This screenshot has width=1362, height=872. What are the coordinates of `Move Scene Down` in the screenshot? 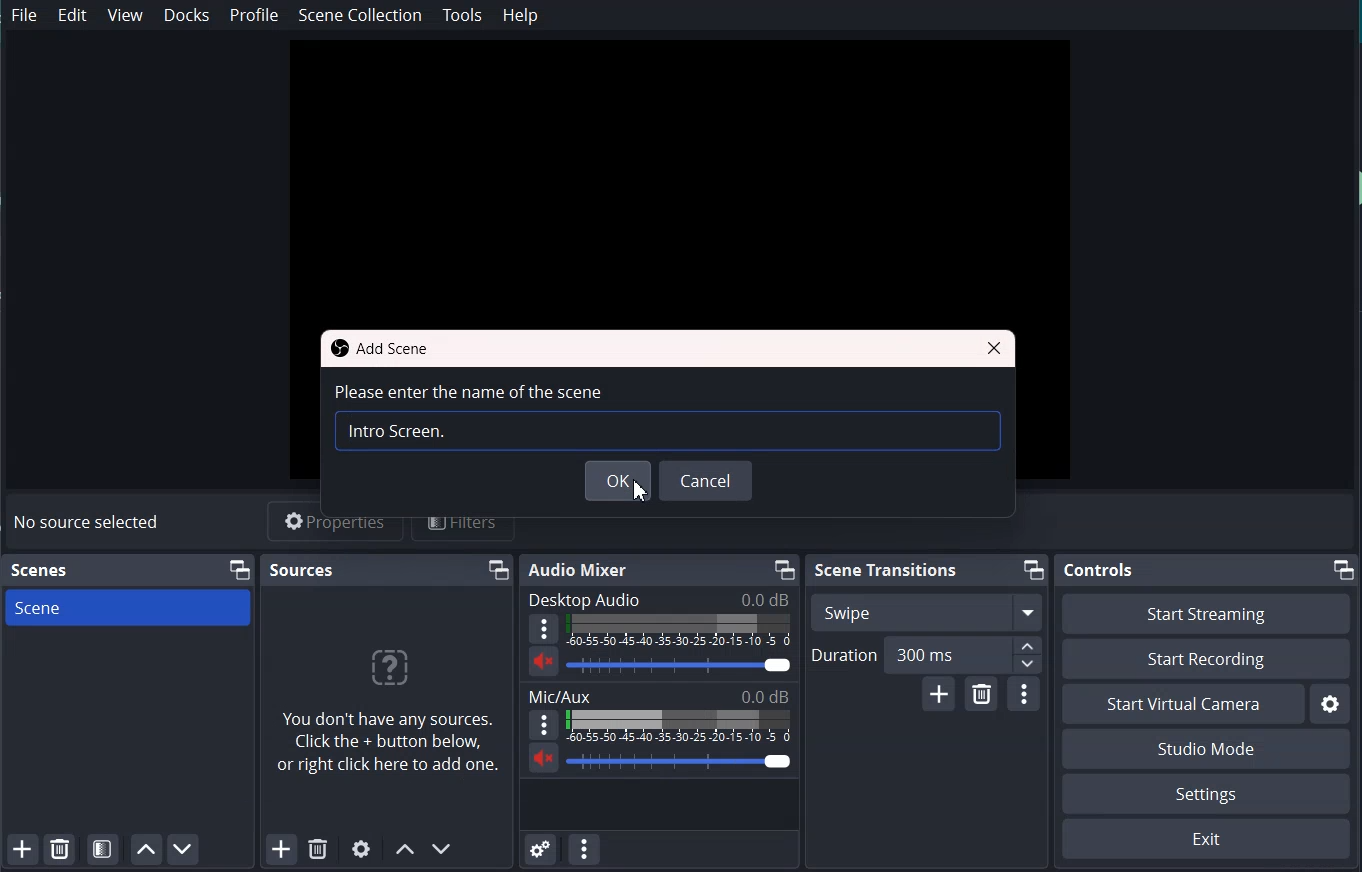 It's located at (183, 849).